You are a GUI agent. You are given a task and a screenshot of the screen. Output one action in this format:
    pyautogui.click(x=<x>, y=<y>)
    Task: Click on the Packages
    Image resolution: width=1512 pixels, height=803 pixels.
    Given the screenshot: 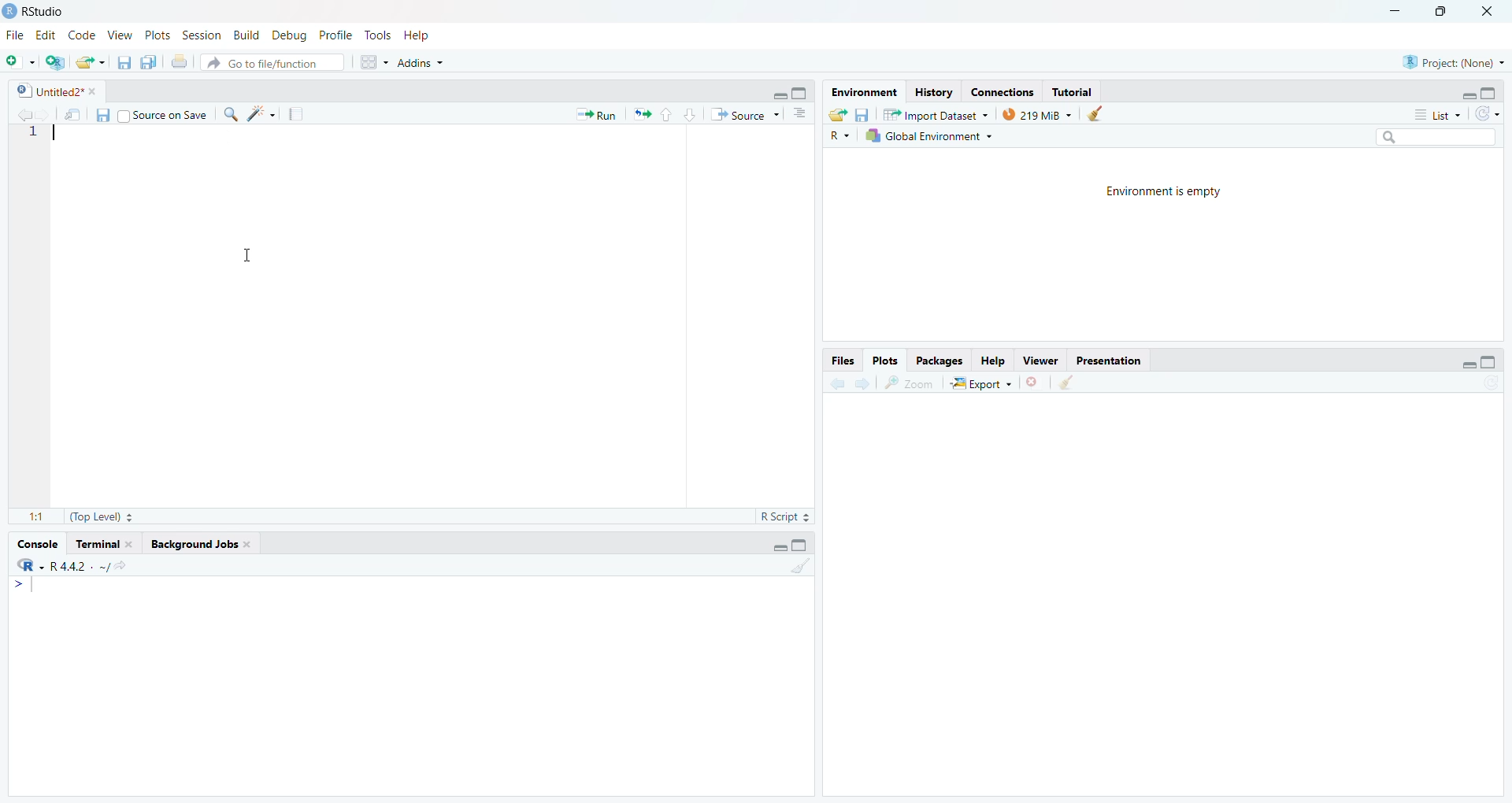 What is the action you would take?
    pyautogui.click(x=939, y=361)
    